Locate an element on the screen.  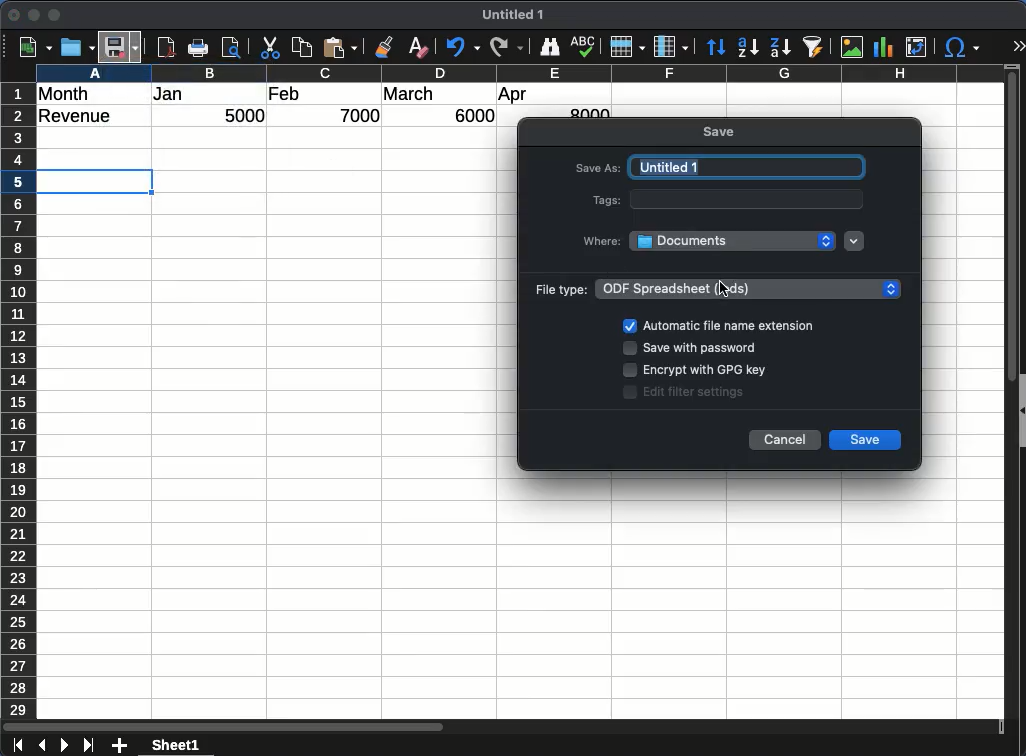
add sheet is located at coordinates (121, 746).